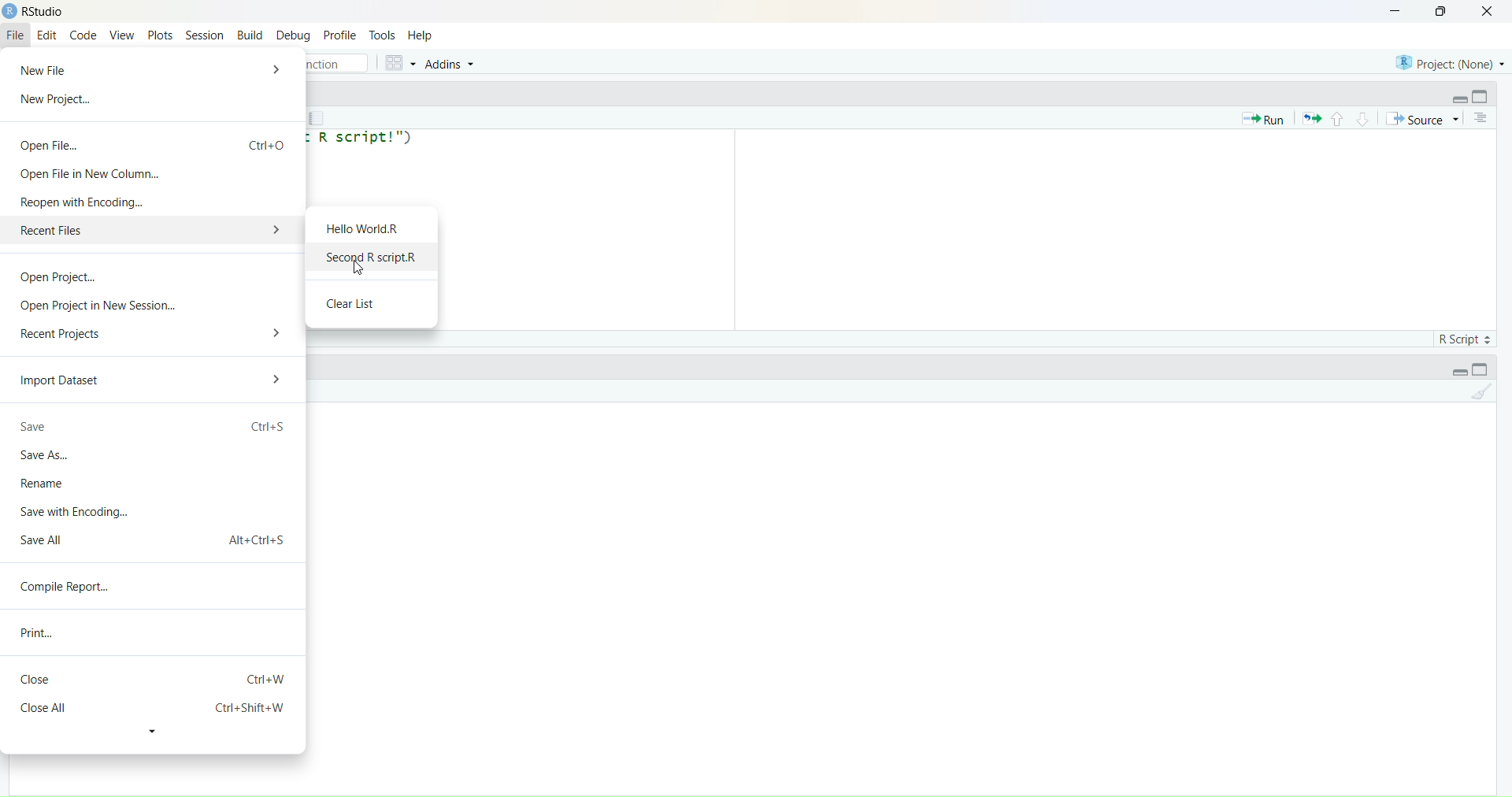 The width and height of the screenshot is (1512, 797). What do you see at coordinates (63, 382) in the screenshot?
I see `Import Dataset` at bounding box center [63, 382].